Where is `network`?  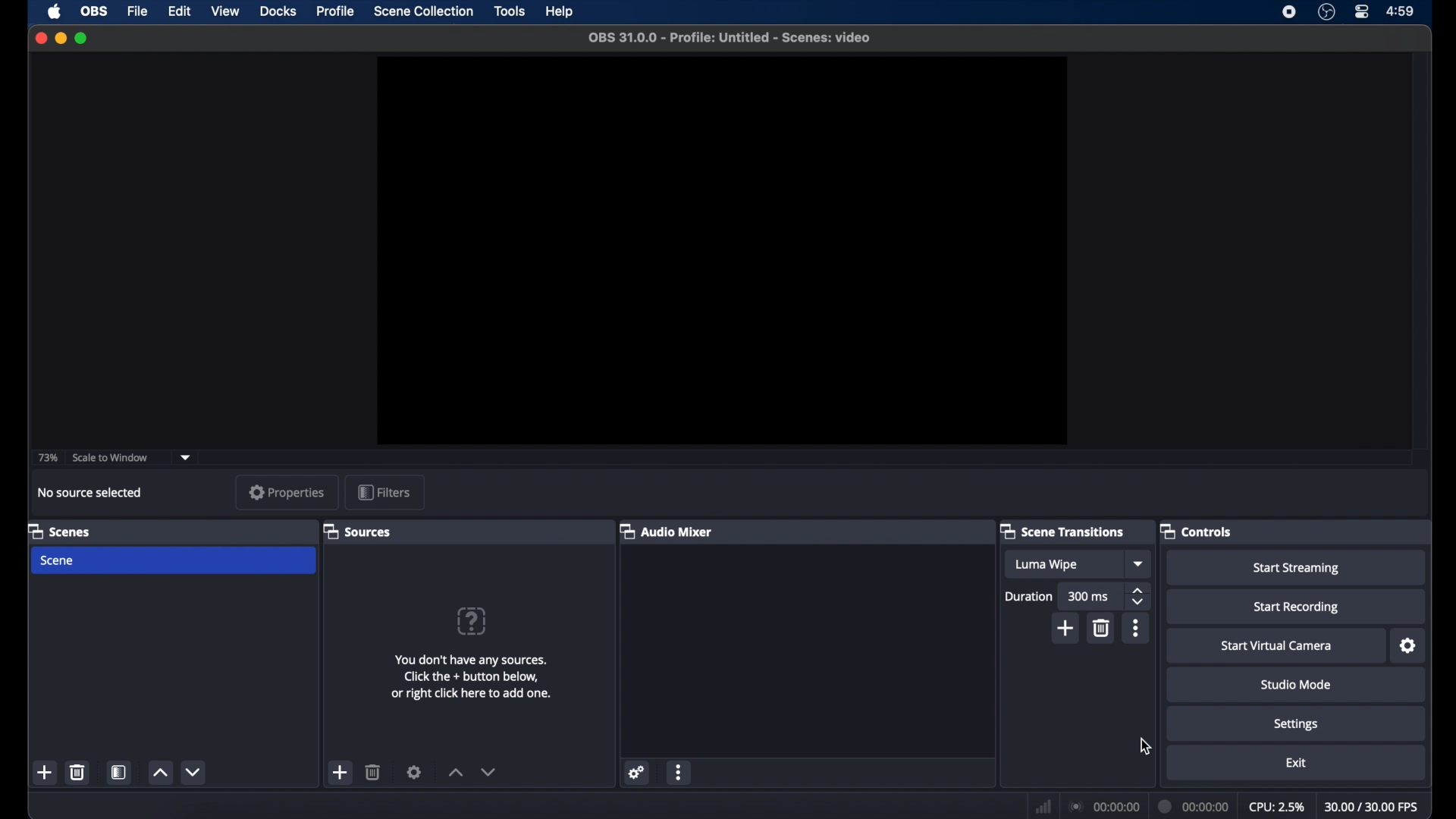 network is located at coordinates (1042, 805).